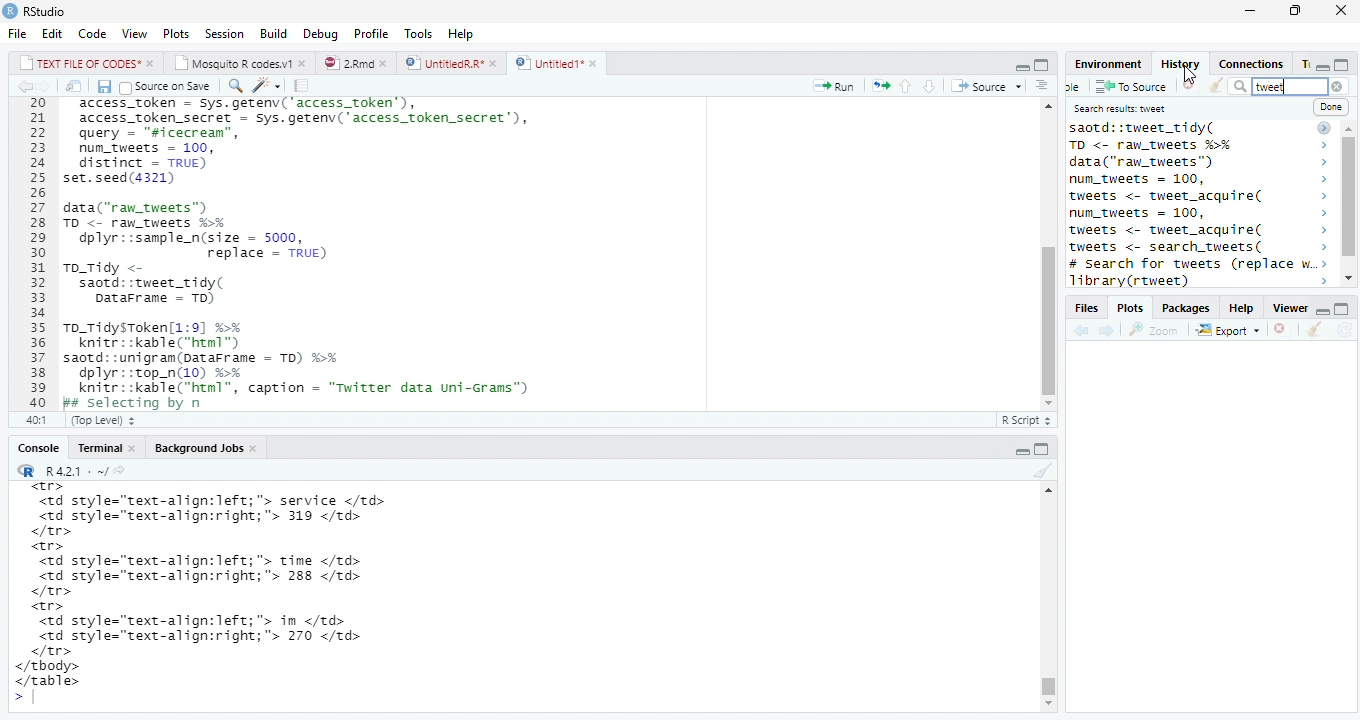 The height and width of the screenshot is (720, 1360). Describe the element at coordinates (176, 32) in the screenshot. I see `Plots` at that location.